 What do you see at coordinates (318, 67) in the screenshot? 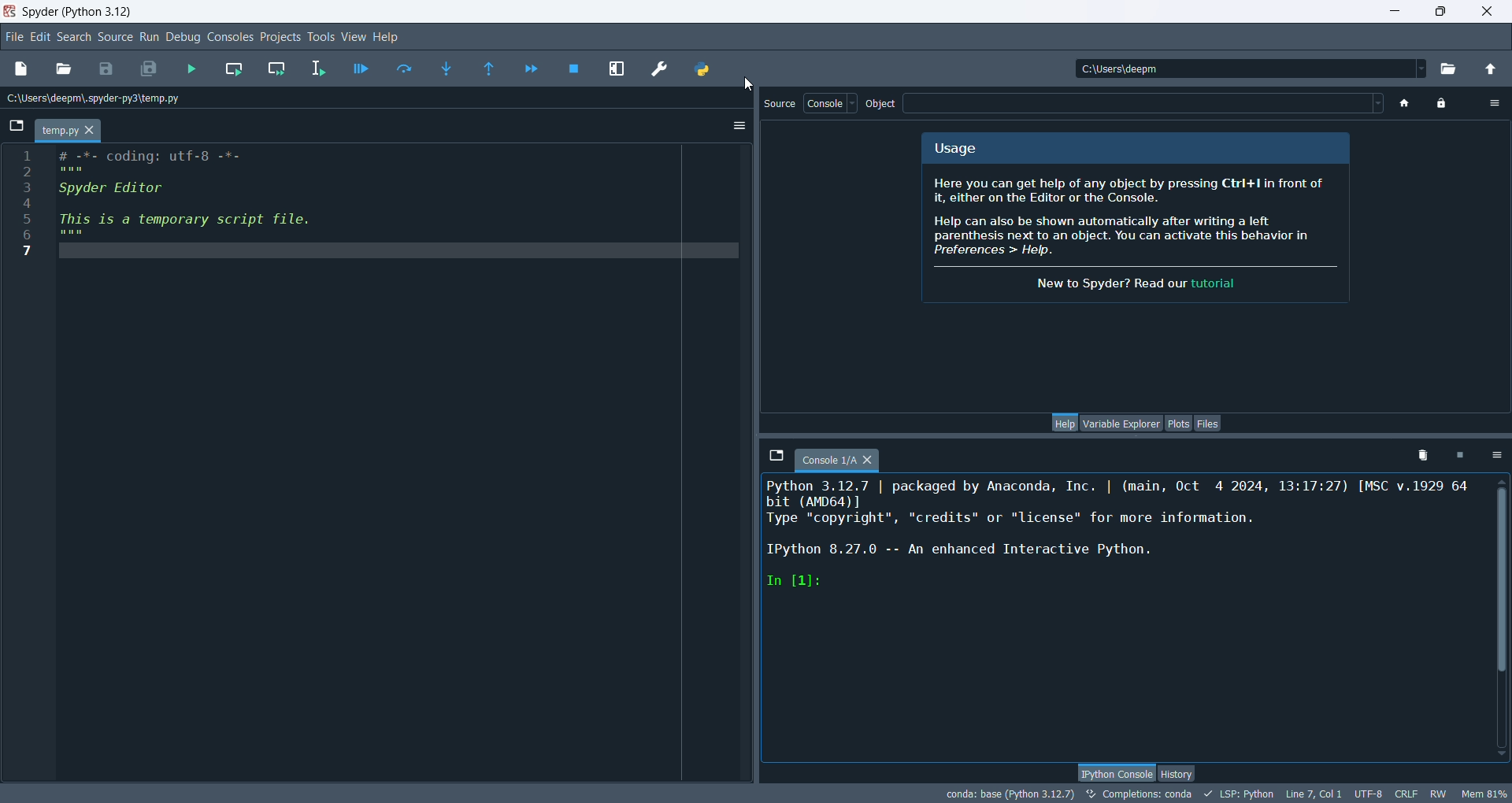
I see `run selection` at bounding box center [318, 67].